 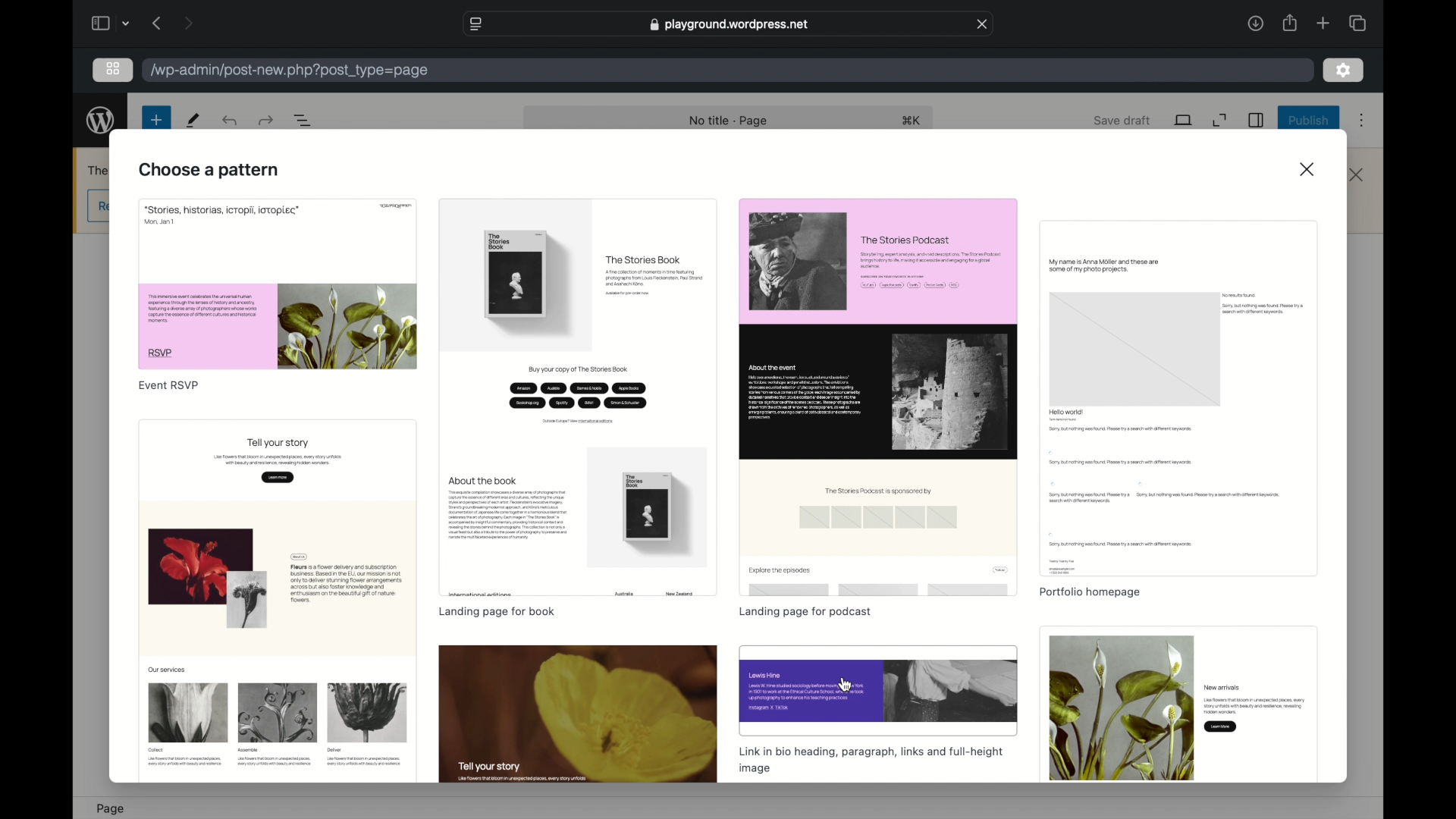 What do you see at coordinates (194, 121) in the screenshot?
I see `edit` at bounding box center [194, 121].